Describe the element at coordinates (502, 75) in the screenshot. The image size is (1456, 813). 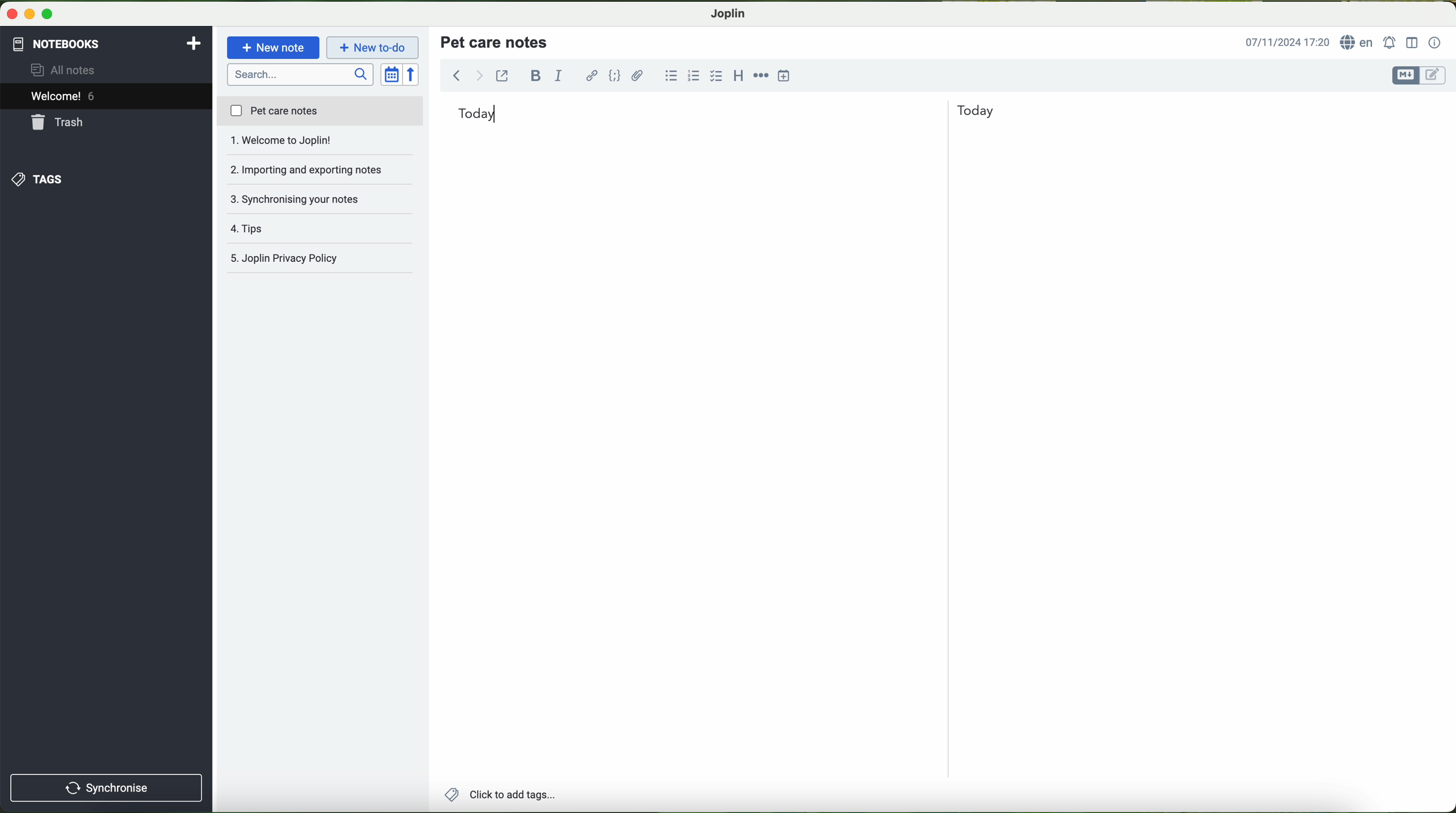
I see `toggle external editing` at that location.